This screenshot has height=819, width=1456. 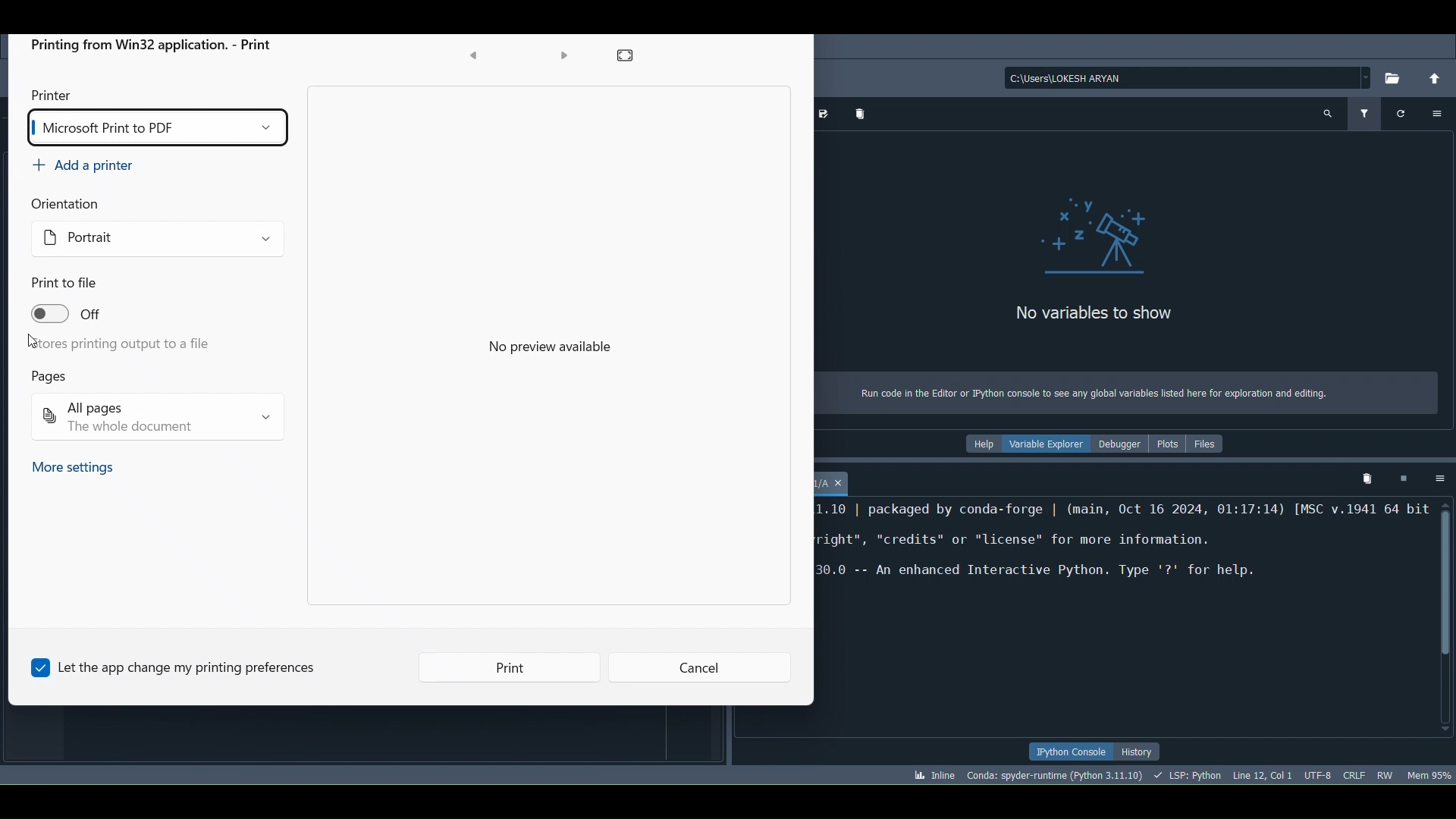 I want to click on No variables to show, so click(x=1125, y=316).